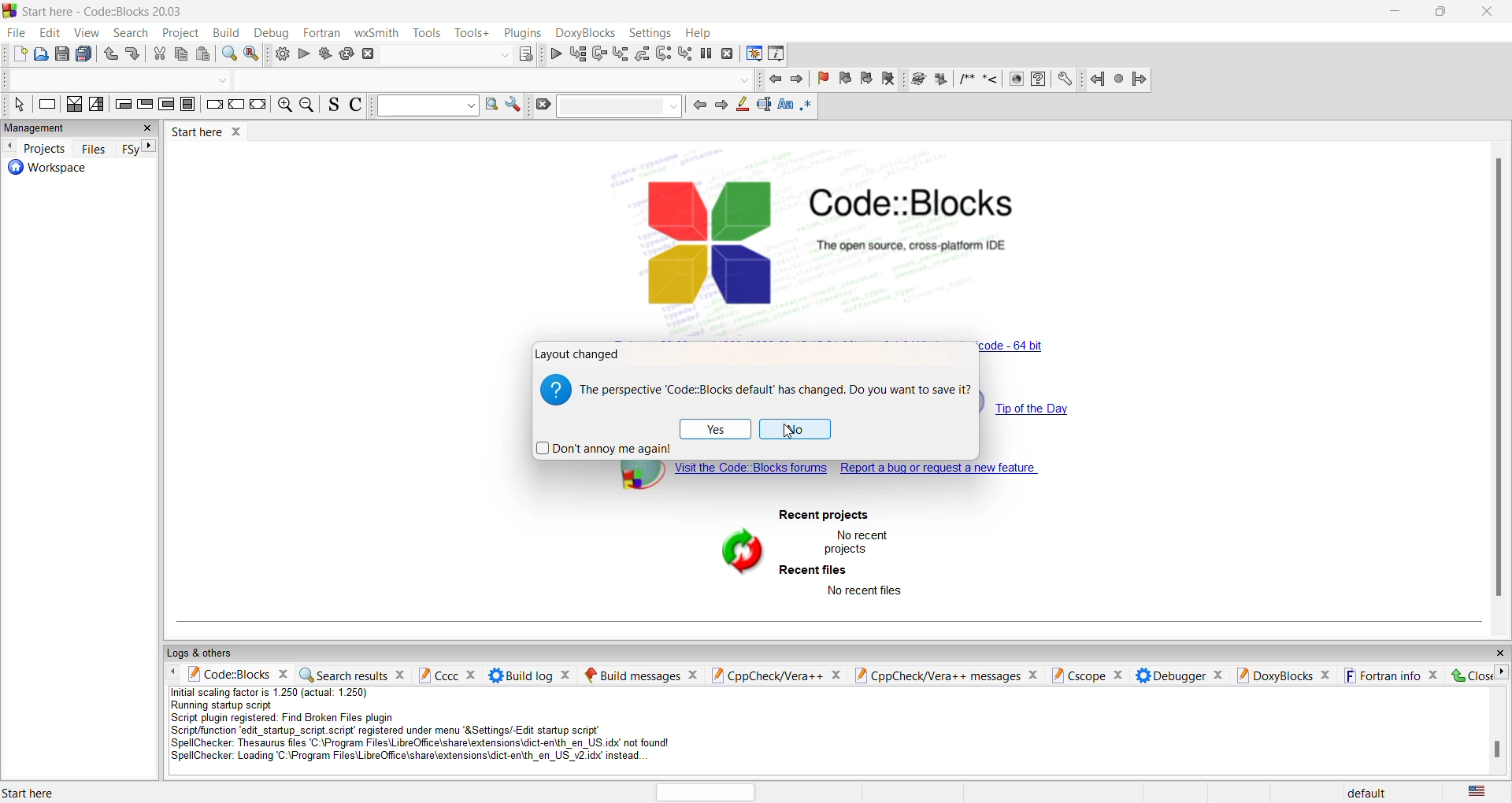 The width and height of the screenshot is (1512, 803). I want to click on jump back, so click(1094, 80).